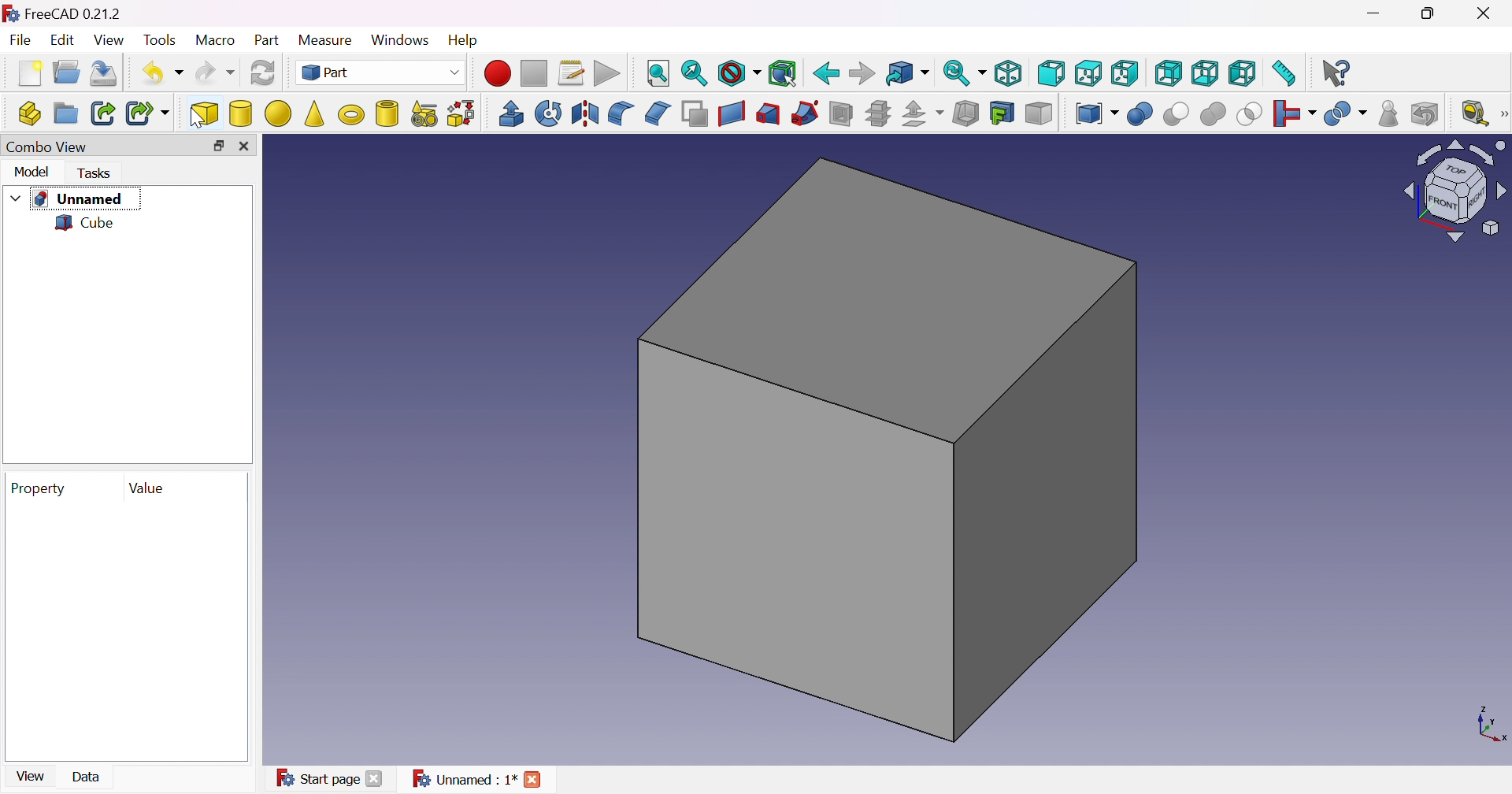 This screenshot has height=794, width=1512. What do you see at coordinates (1426, 13) in the screenshot?
I see `Restore down` at bounding box center [1426, 13].